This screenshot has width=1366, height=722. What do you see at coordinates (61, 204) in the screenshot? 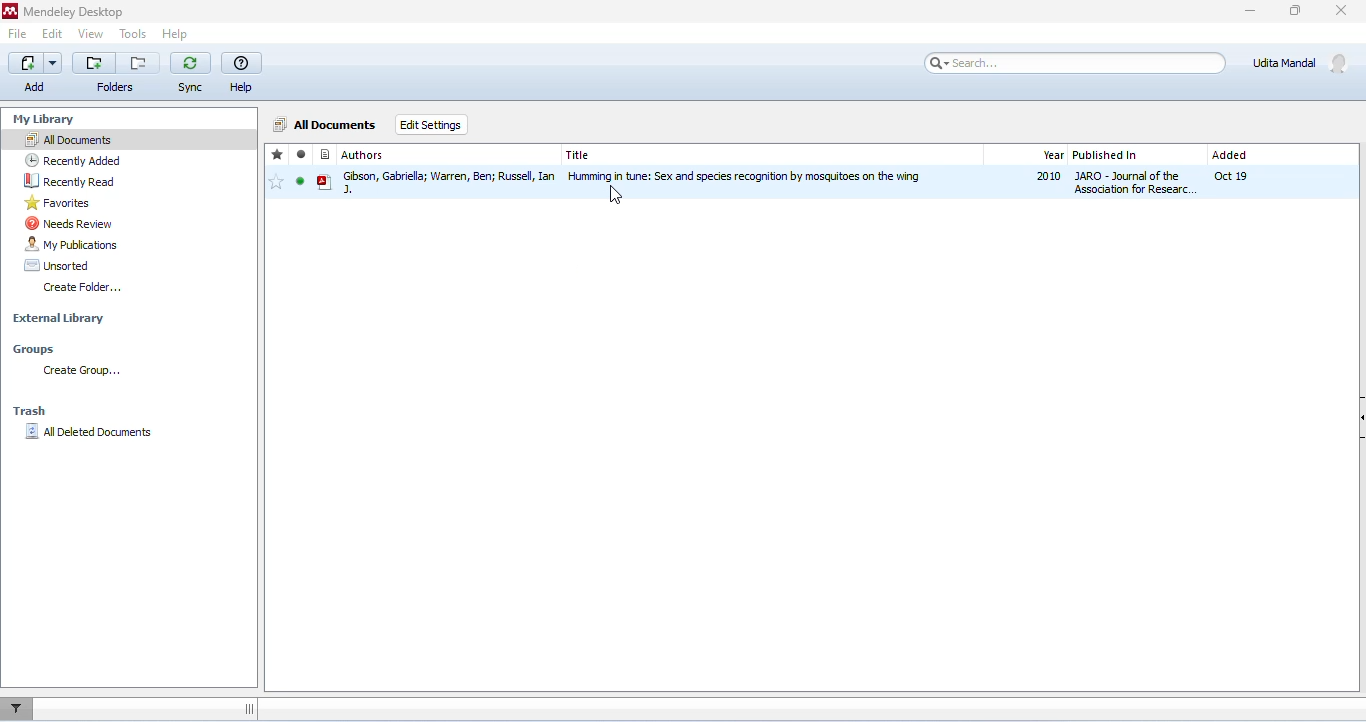
I see `favorites` at bounding box center [61, 204].